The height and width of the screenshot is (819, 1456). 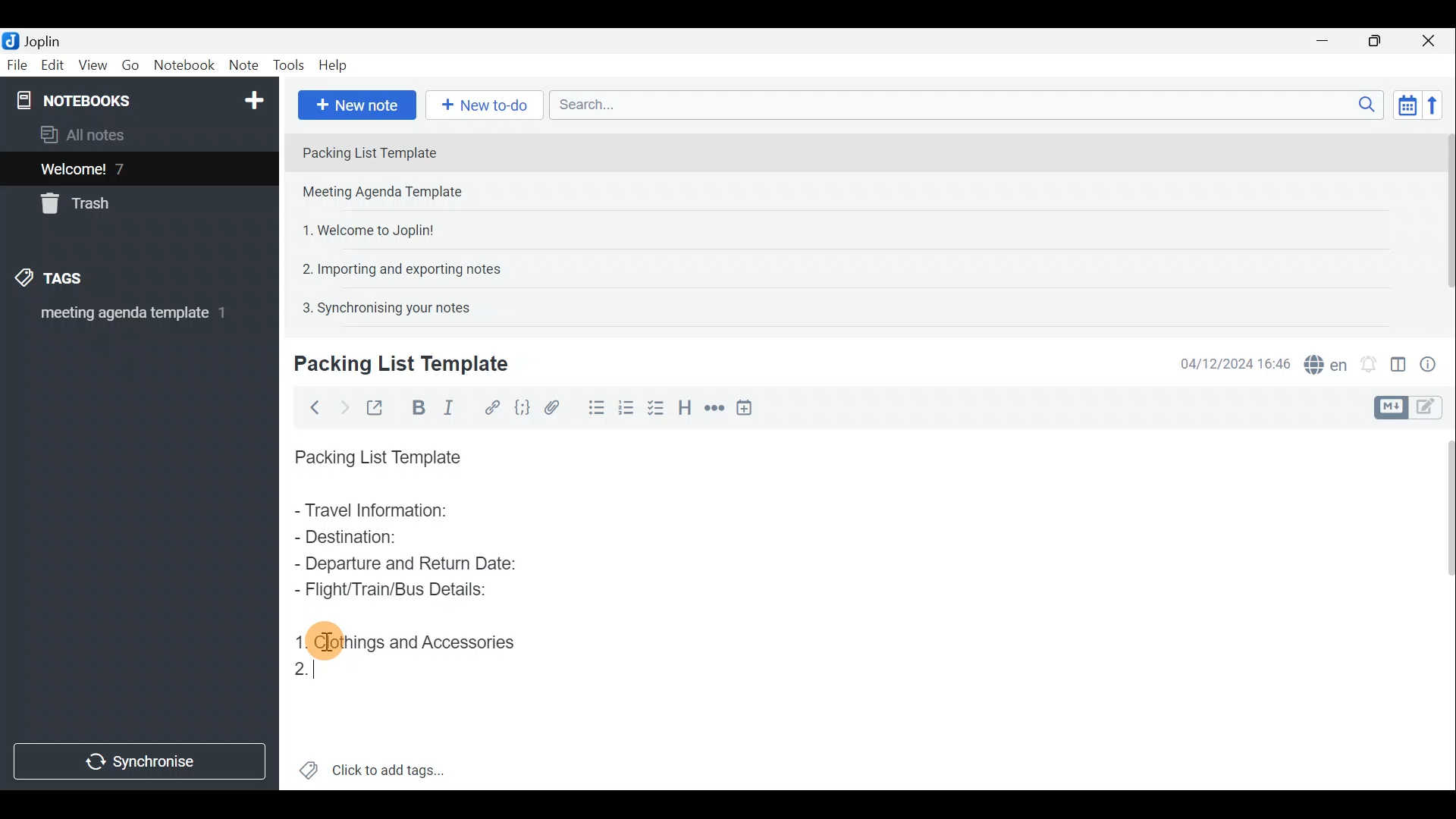 I want to click on Italic, so click(x=454, y=407).